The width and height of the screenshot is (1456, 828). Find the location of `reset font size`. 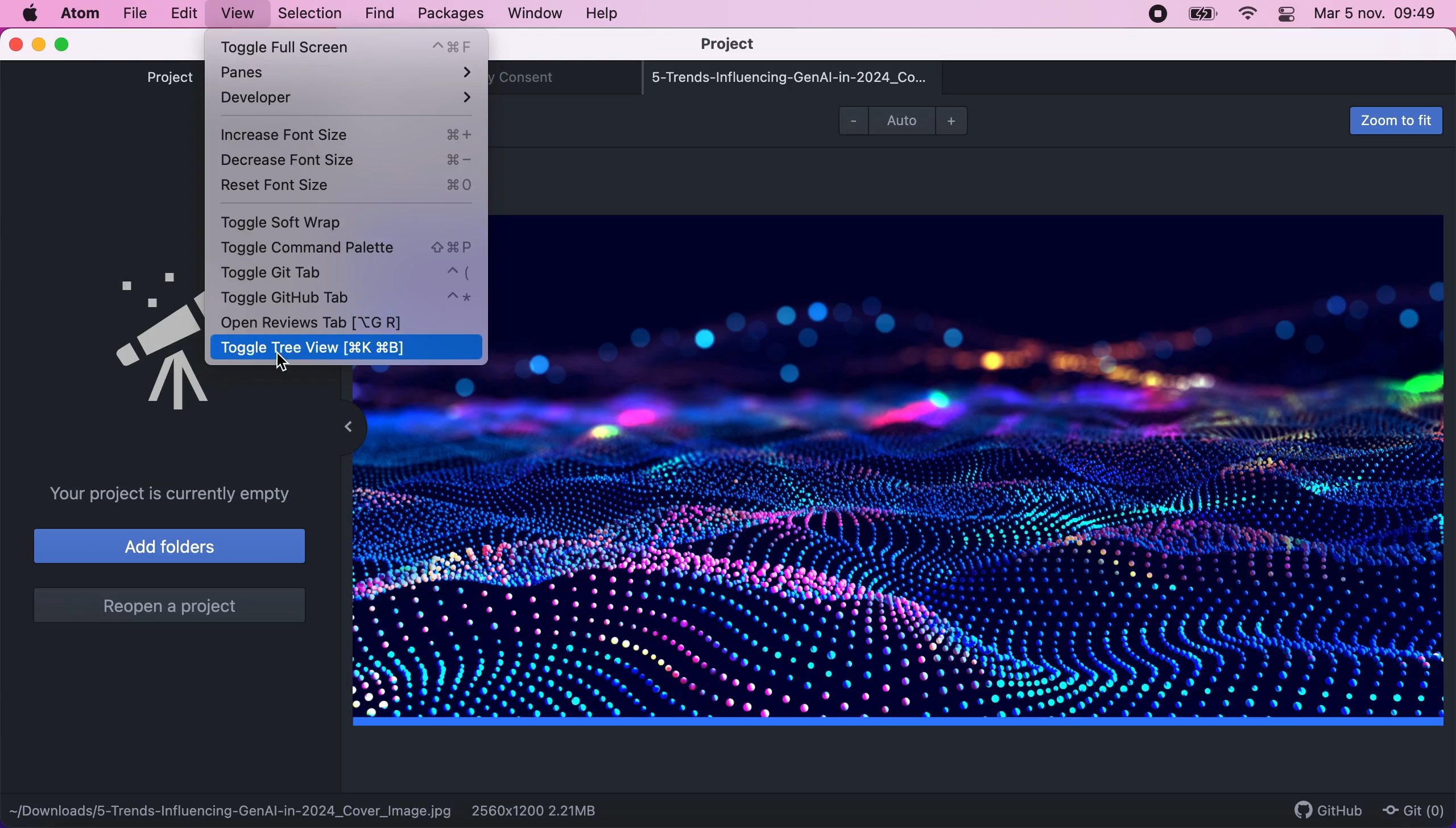

reset font size is located at coordinates (342, 188).